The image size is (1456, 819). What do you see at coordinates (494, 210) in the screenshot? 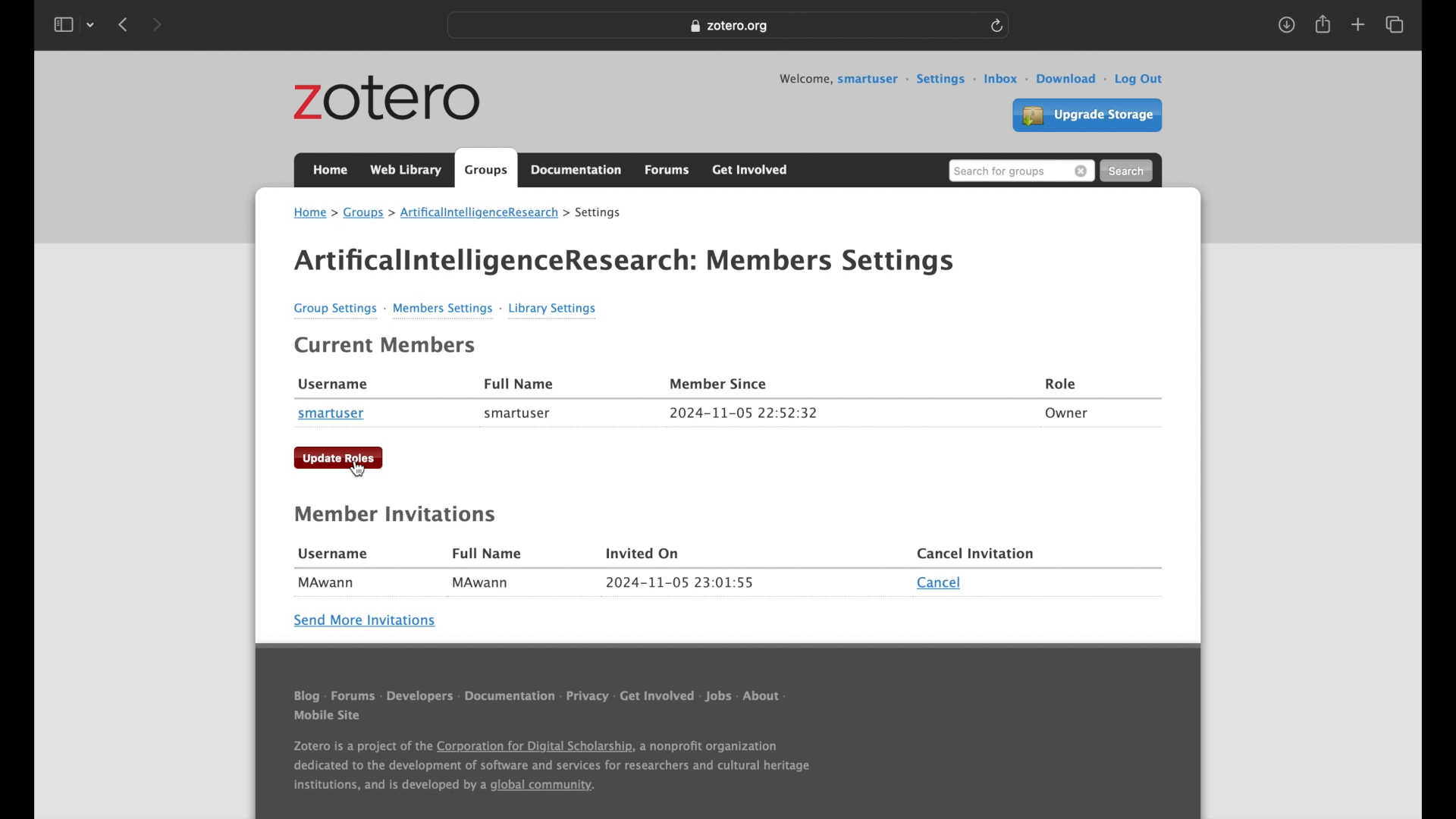
I see `tificalintelligenceResearch >` at bounding box center [494, 210].